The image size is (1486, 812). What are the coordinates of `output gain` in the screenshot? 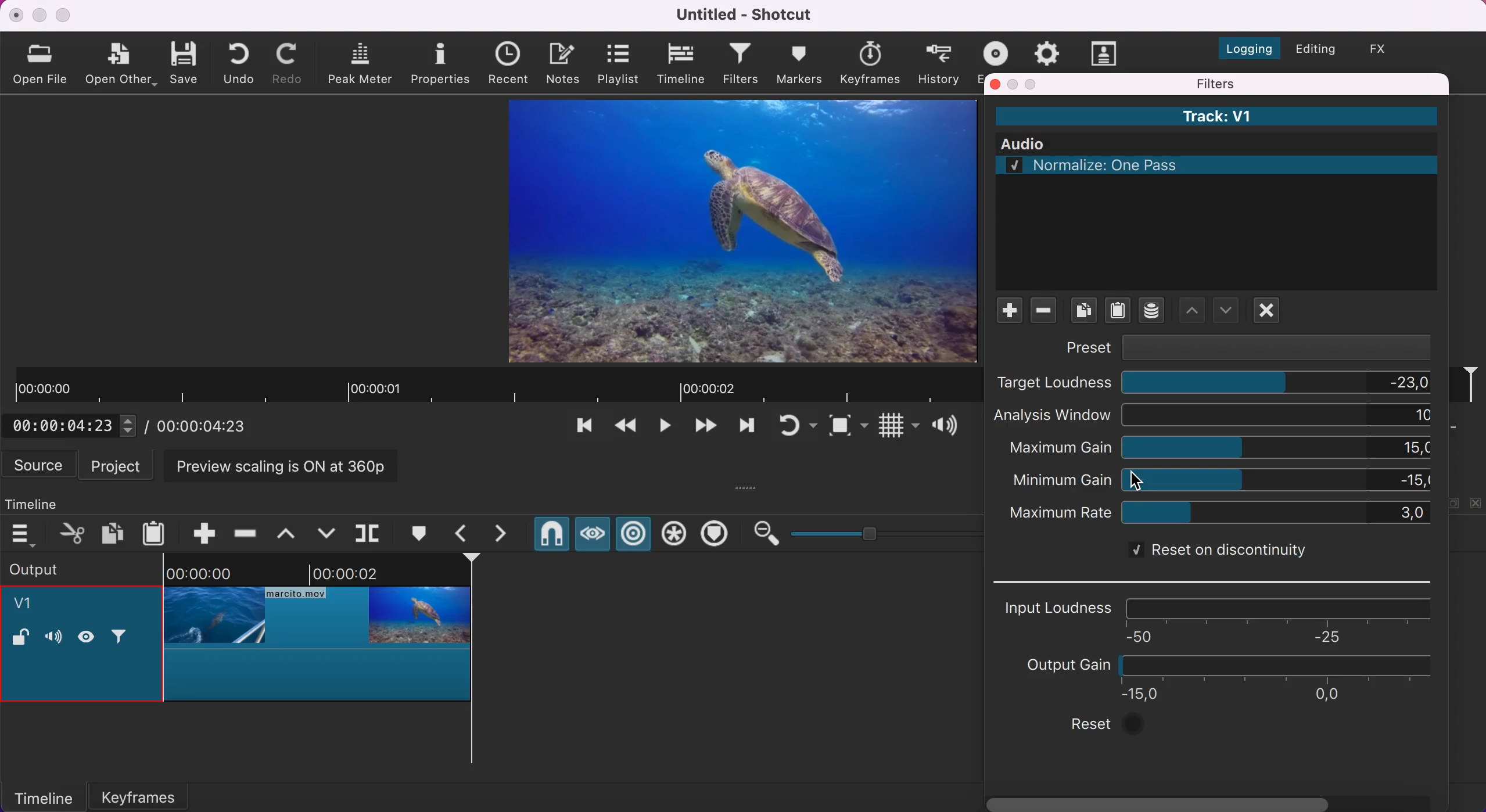 It's located at (1221, 678).